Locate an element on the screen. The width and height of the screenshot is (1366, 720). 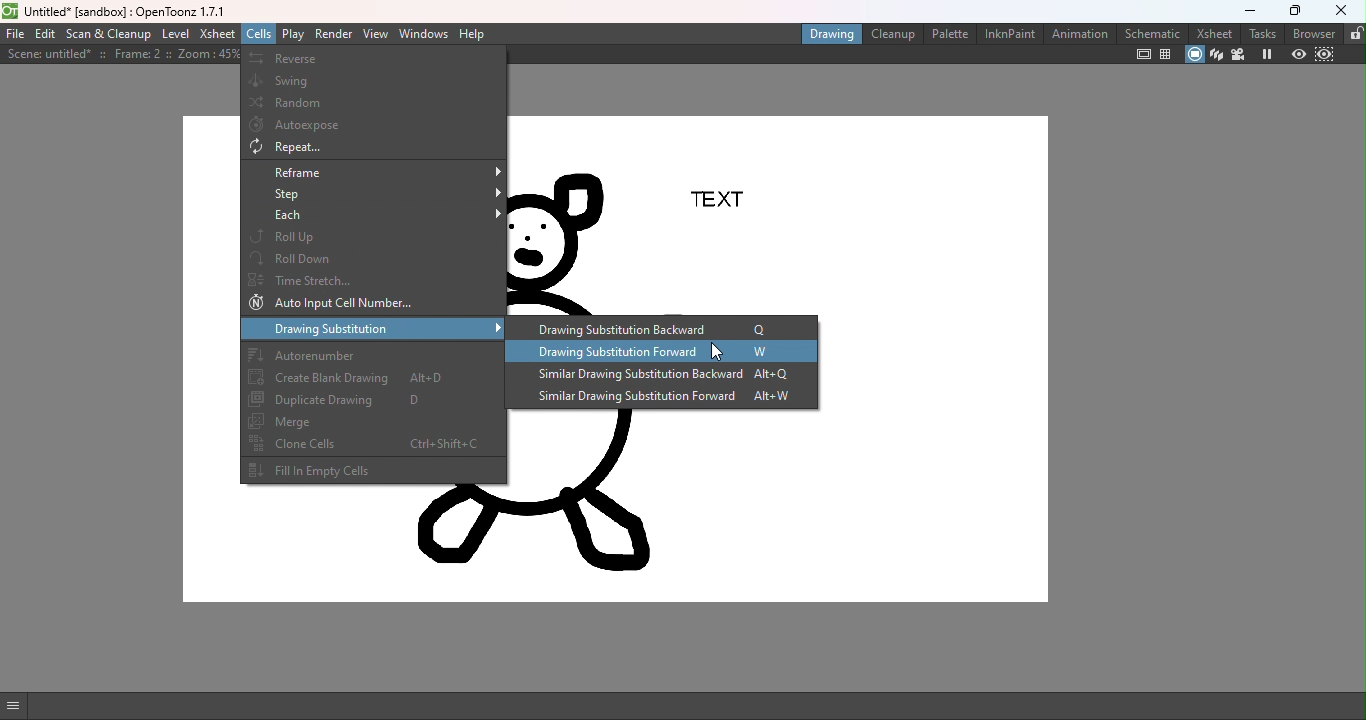
cursor is located at coordinates (716, 351).